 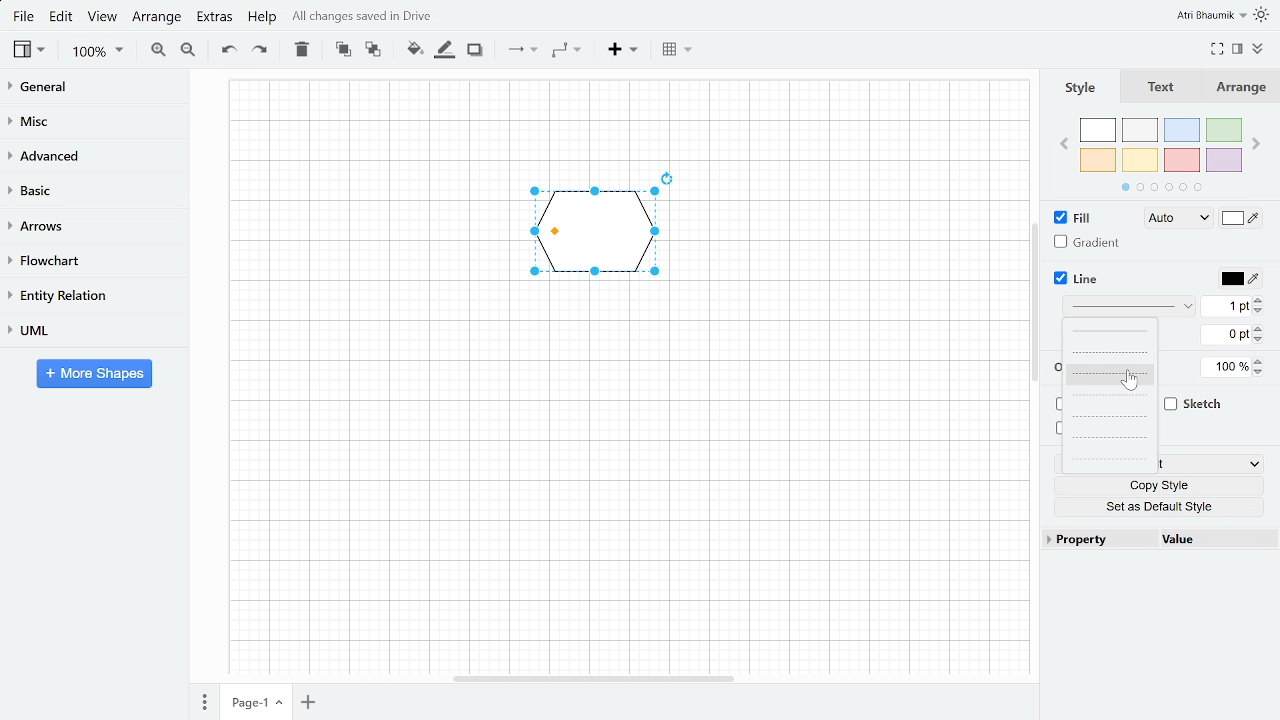 What do you see at coordinates (566, 51) in the screenshot?
I see `Waypoint` at bounding box center [566, 51].